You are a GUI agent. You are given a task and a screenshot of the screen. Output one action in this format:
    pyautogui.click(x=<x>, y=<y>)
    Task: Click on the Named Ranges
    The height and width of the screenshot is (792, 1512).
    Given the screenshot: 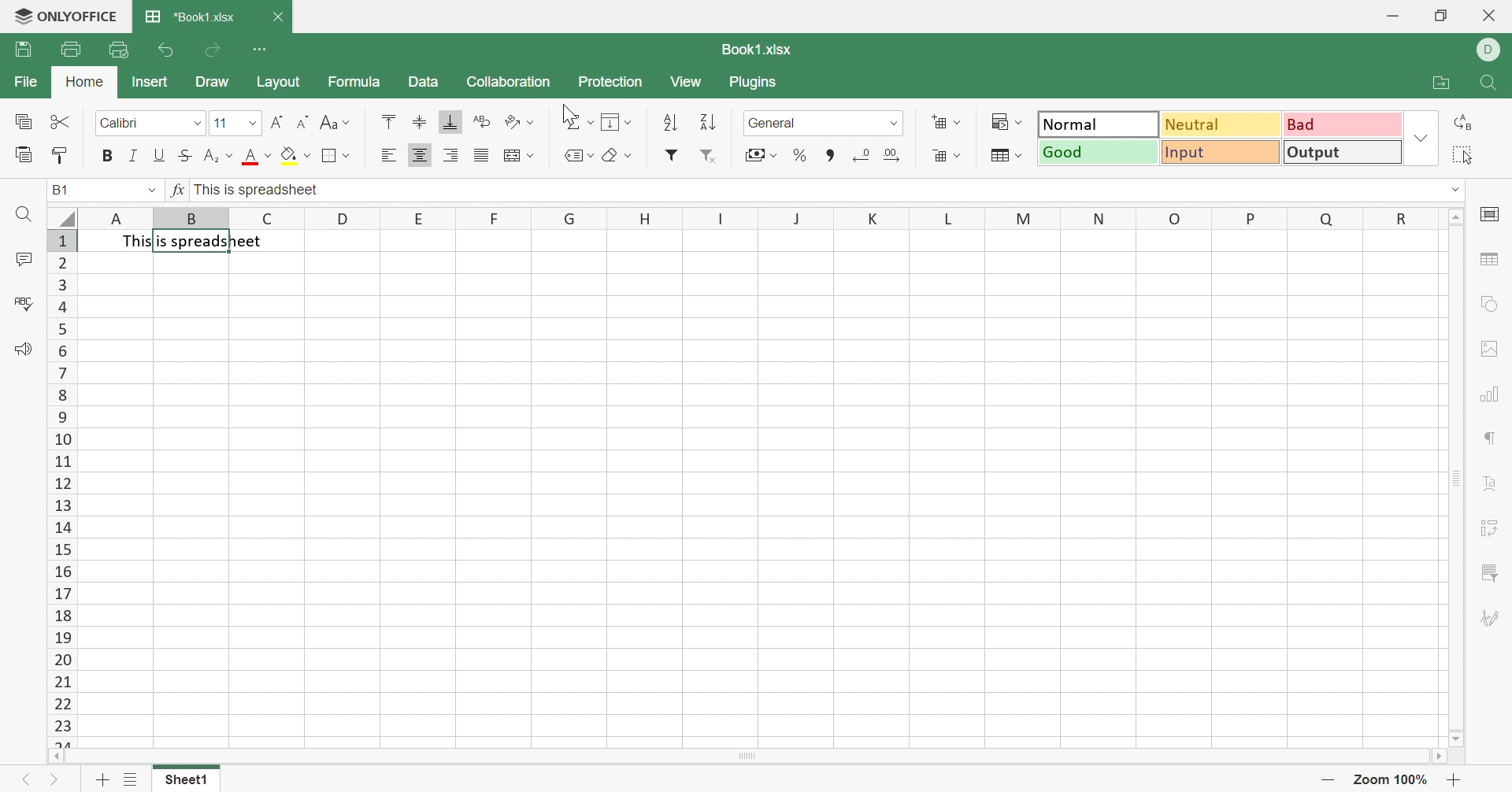 What is the action you would take?
    pyautogui.click(x=571, y=157)
    